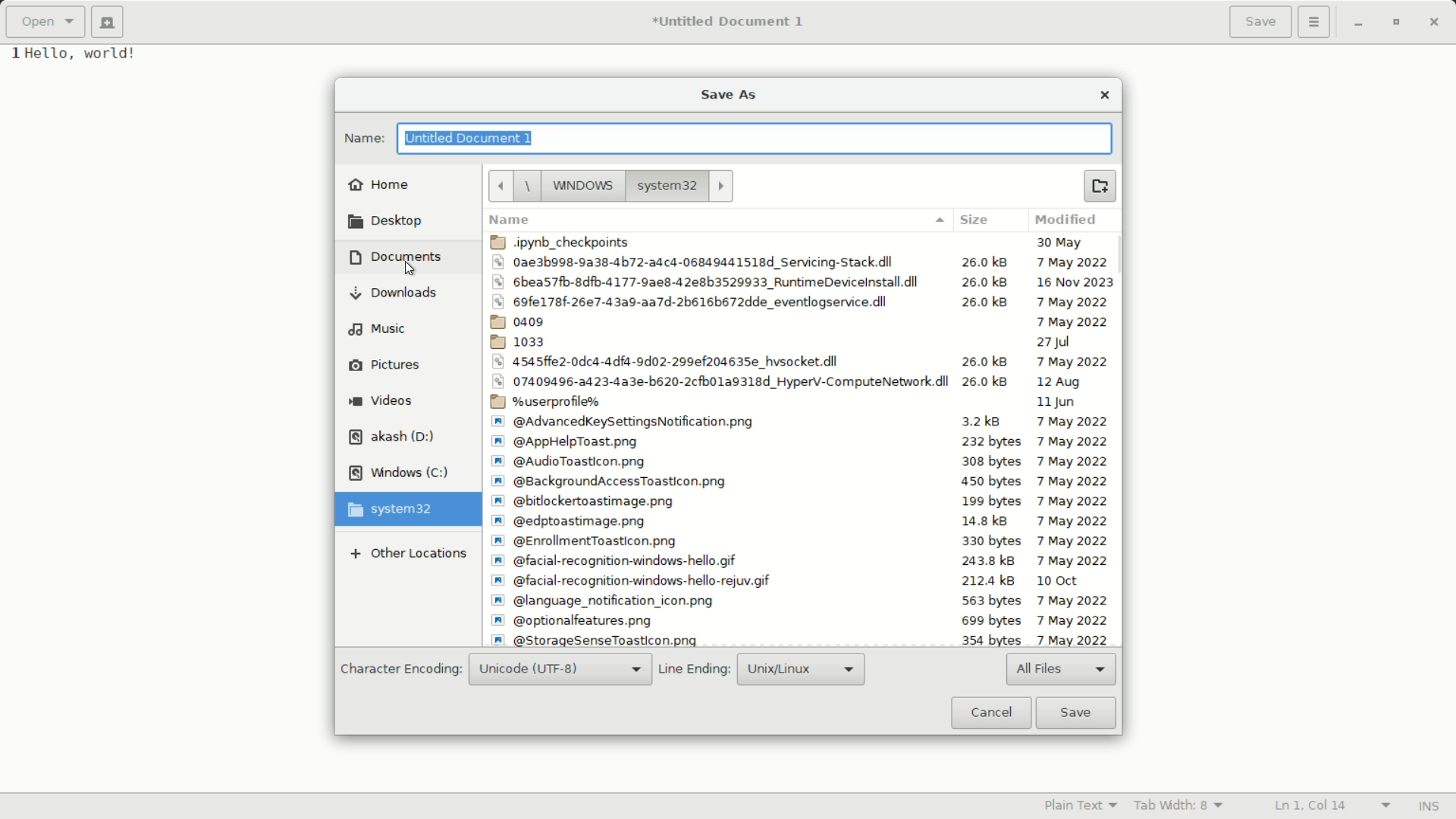  Describe the element at coordinates (715, 221) in the screenshot. I see `name` at that location.